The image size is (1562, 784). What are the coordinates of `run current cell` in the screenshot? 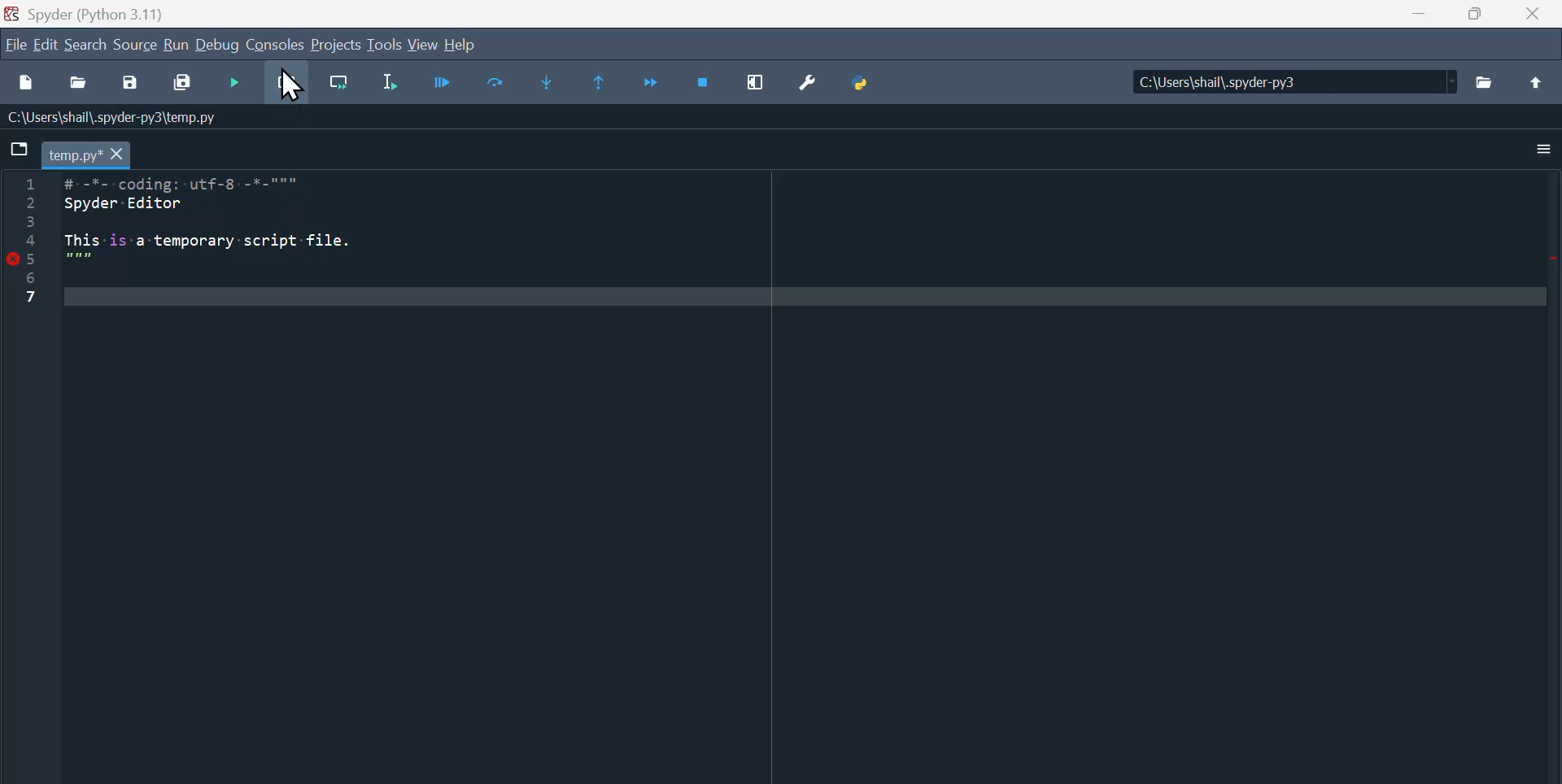 It's located at (286, 85).